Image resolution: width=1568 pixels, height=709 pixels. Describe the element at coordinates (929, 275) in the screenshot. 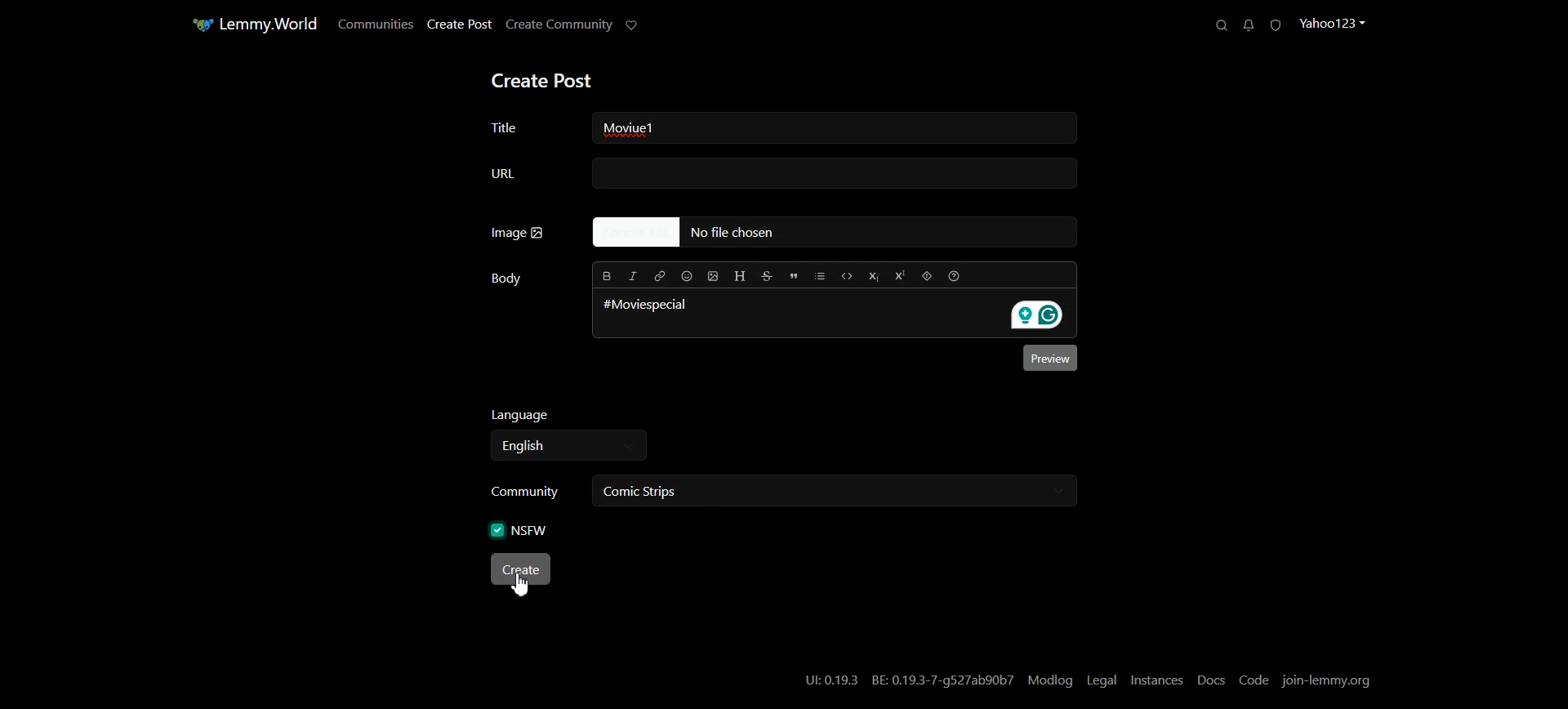

I see `Spoiler` at that location.